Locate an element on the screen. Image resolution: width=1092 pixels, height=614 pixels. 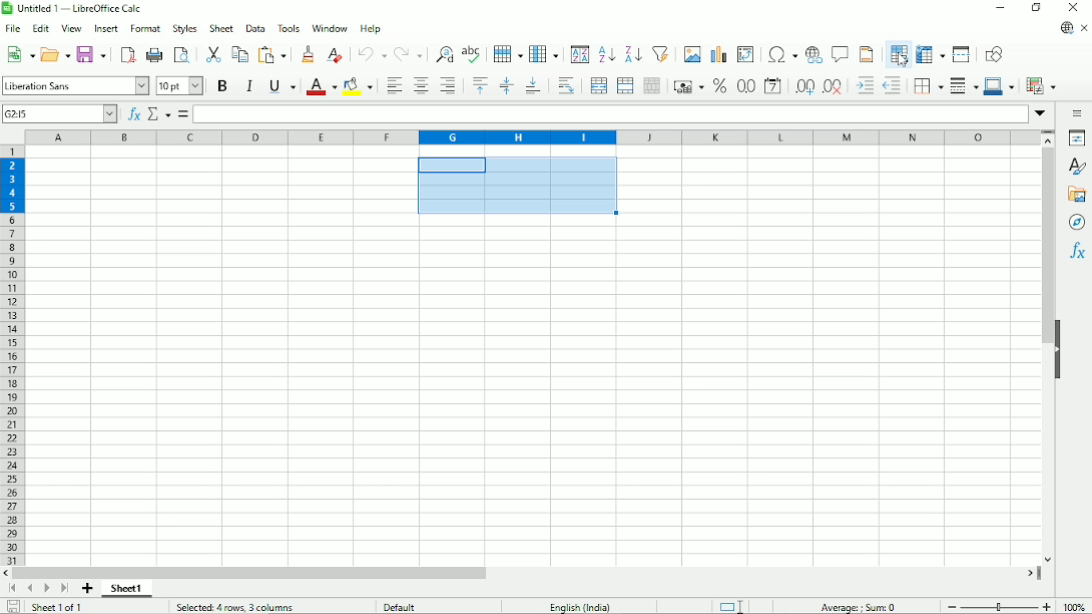
Increase indent is located at coordinates (863, 87).